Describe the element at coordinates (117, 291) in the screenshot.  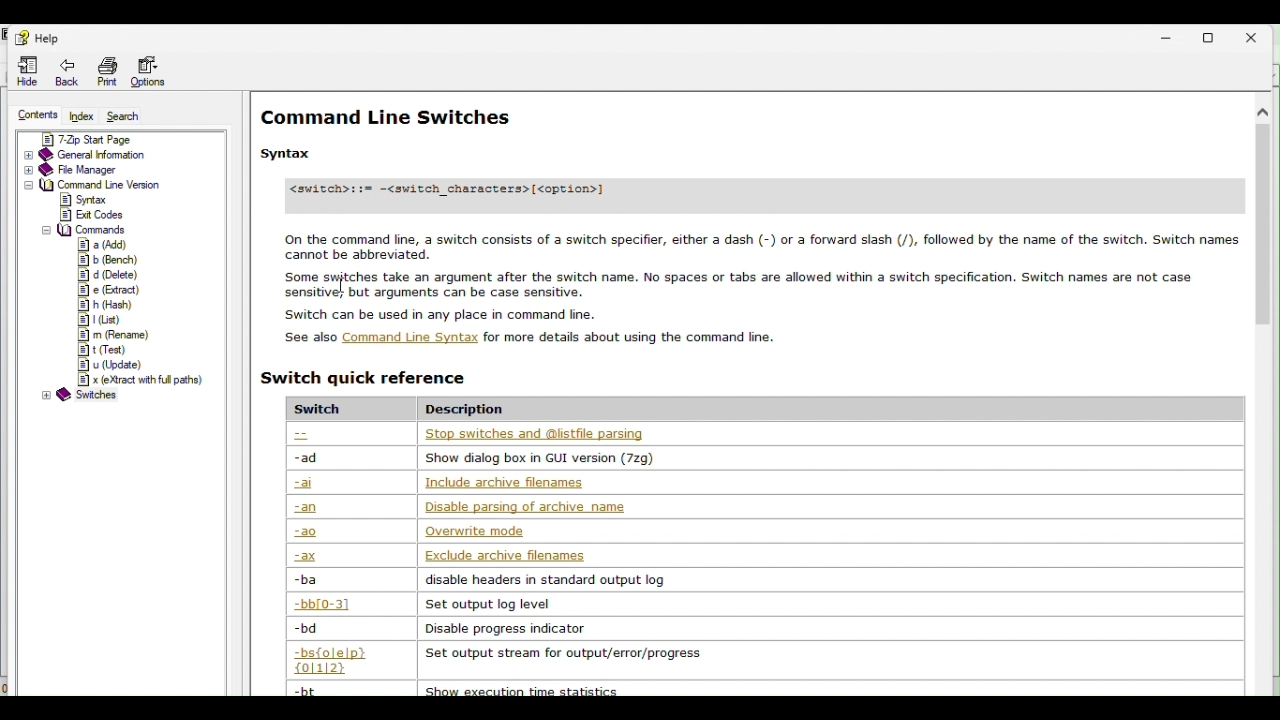
I see `e` at that location.